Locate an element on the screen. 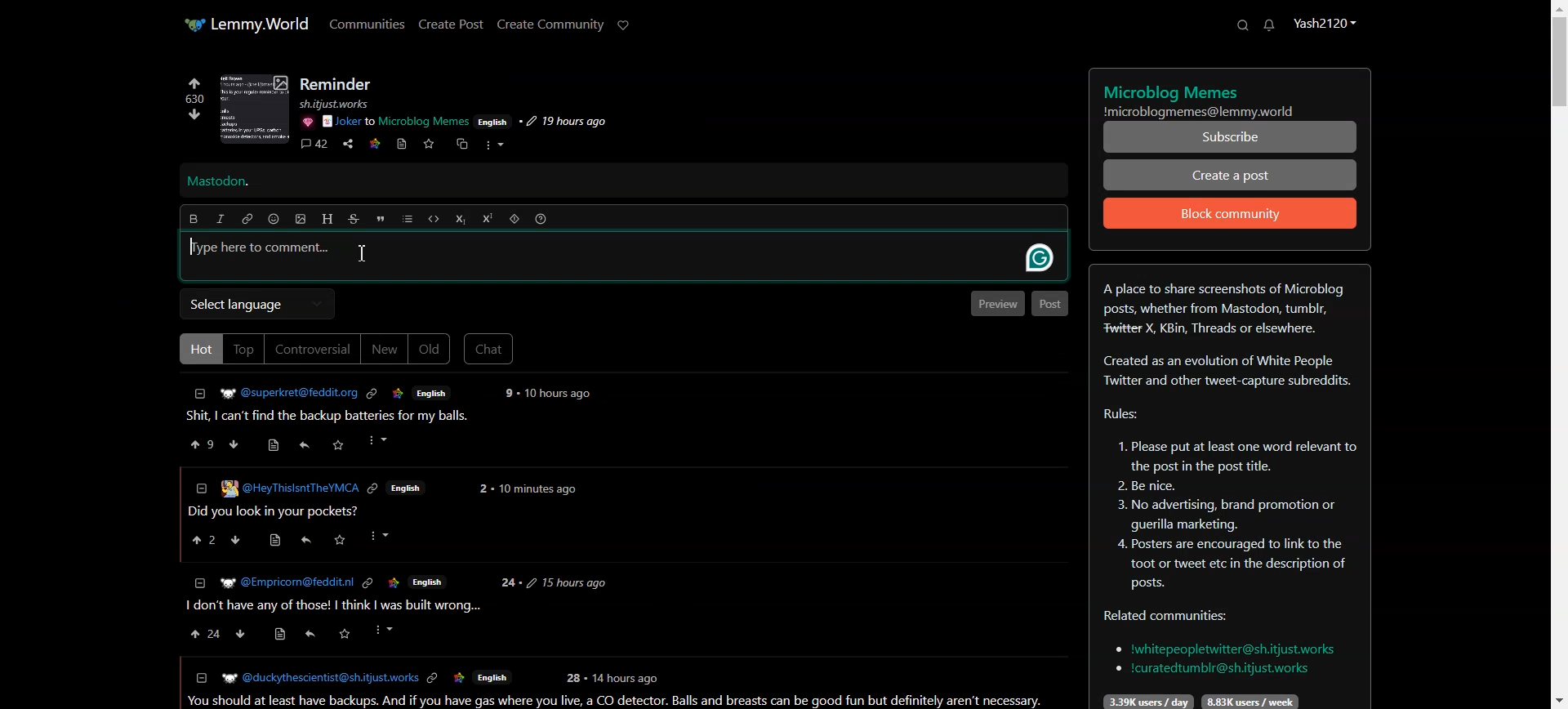 The image size is (1568, 709). superkret@feddit.org is located at coordinates (283, 390).